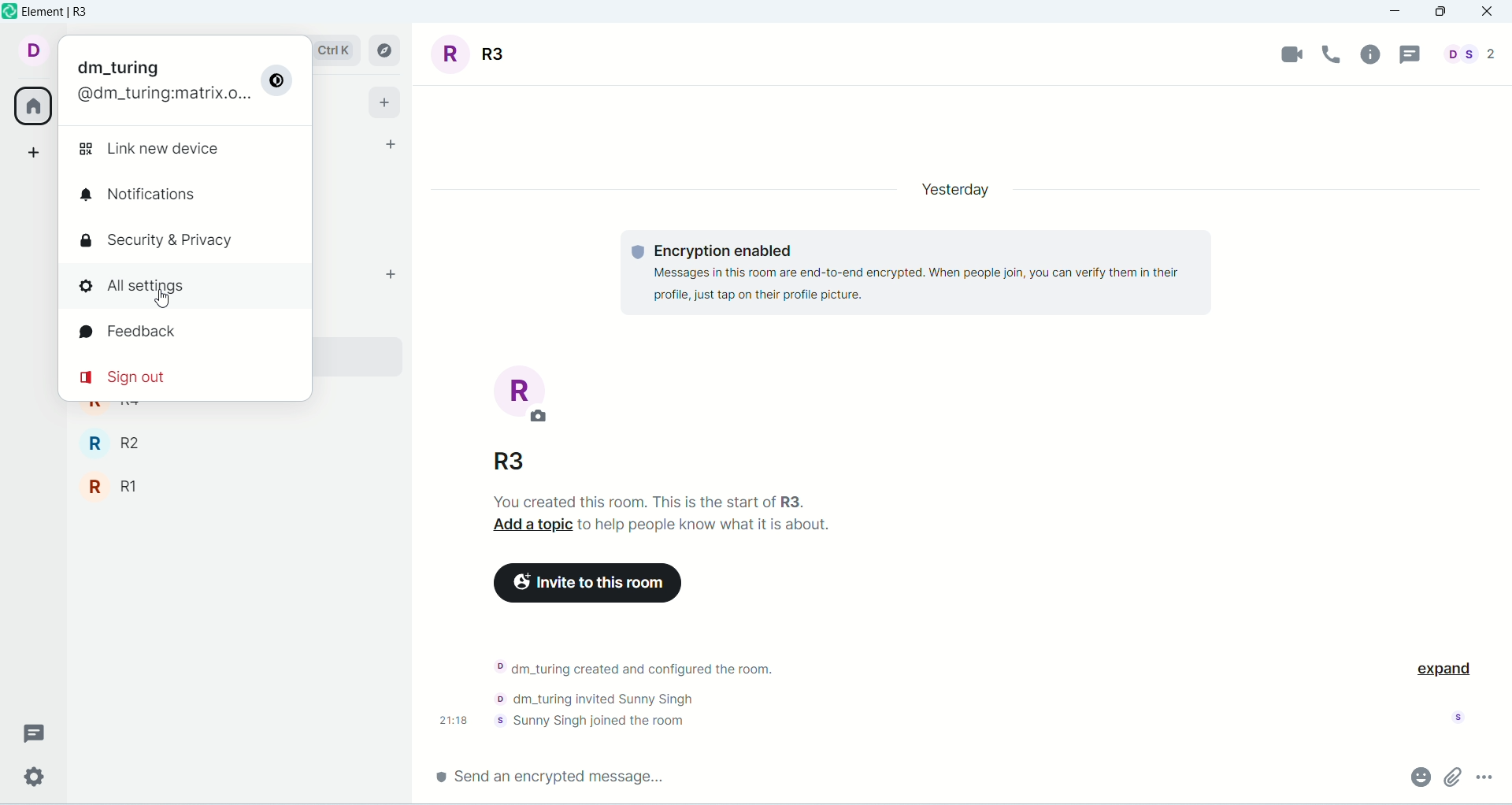 The height and width of the screenshot is (805, 1512). What do you see at coordinates (455, 719) in the screenshot?
I see `time` at bounding box center [455, 719].